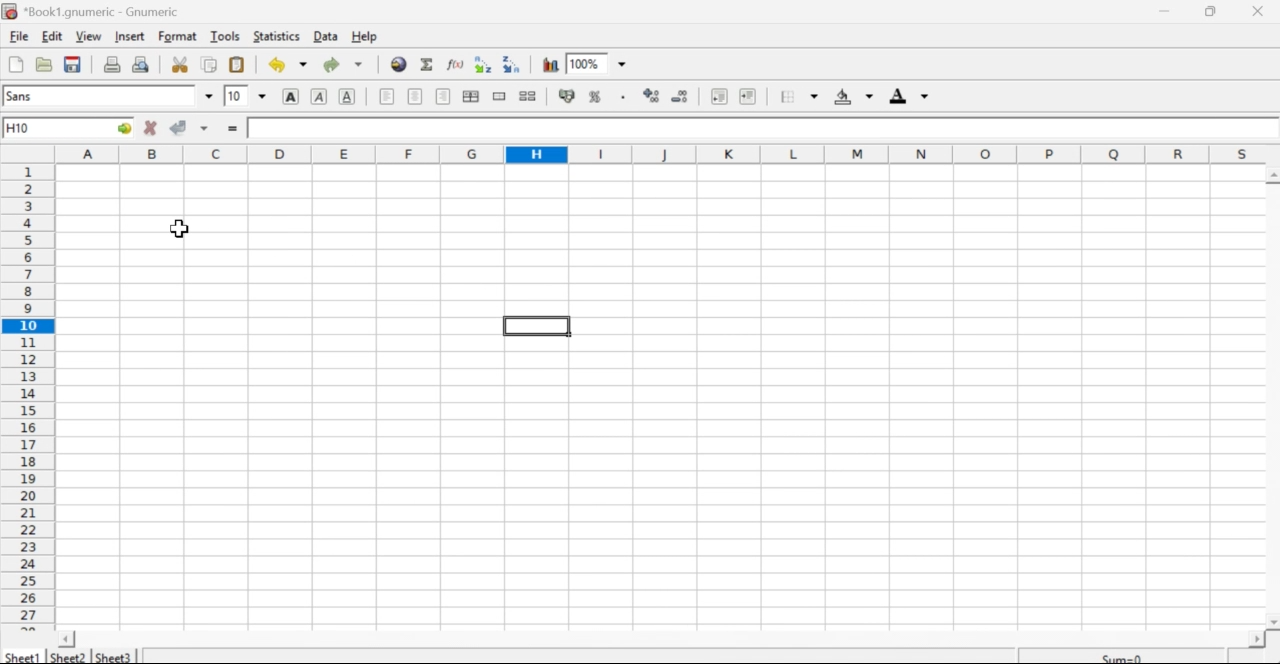 Image resolution: width=1280 pixels, height=664 pixels. Describe the element at coordinates (235, 129) in the screenshot. I see `=` at that location.